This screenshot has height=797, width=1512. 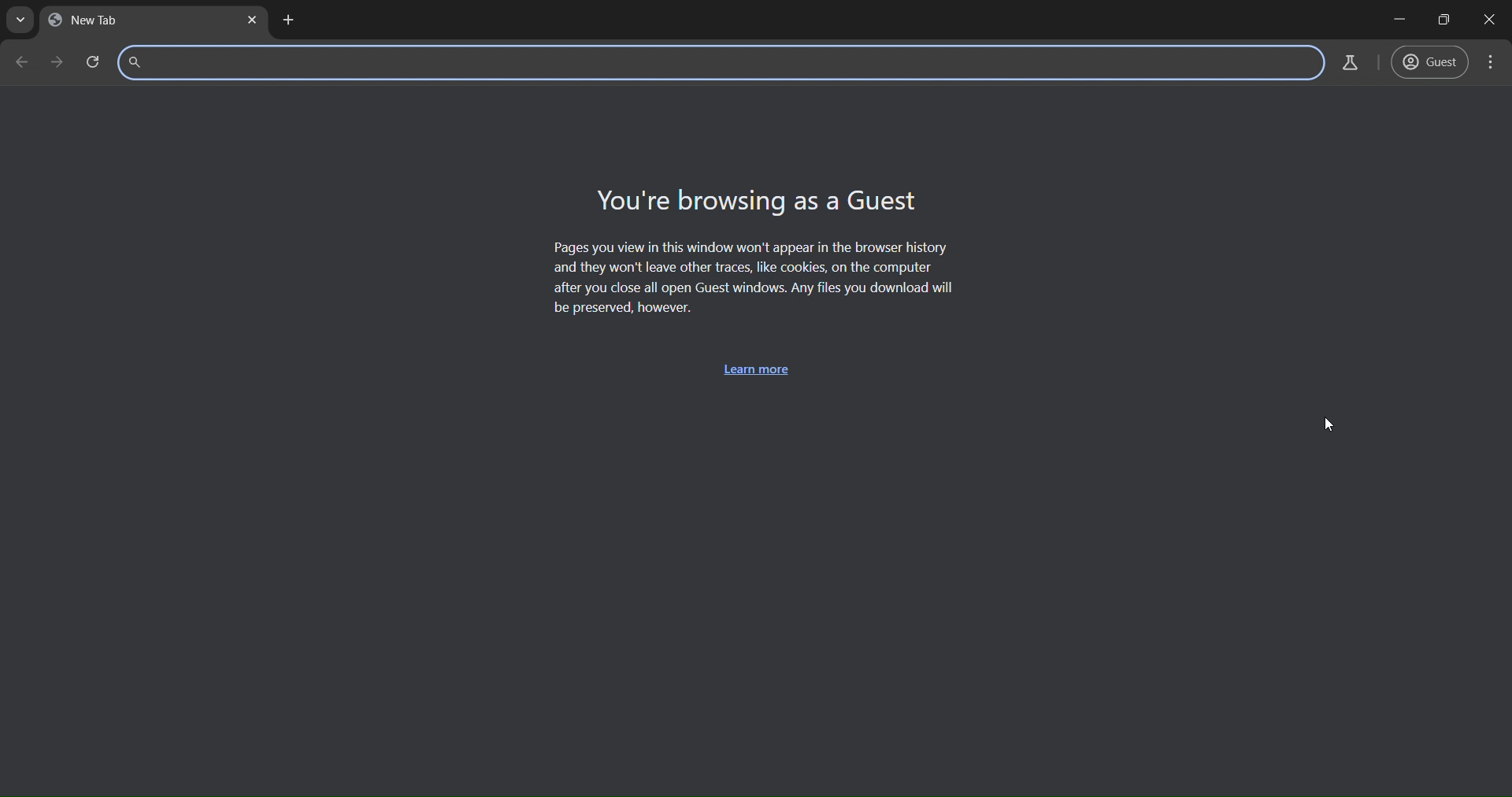 What do you see at coordinates (54, 61) in the screenshot?
I see `reload ` at bounding box center [54, 61].